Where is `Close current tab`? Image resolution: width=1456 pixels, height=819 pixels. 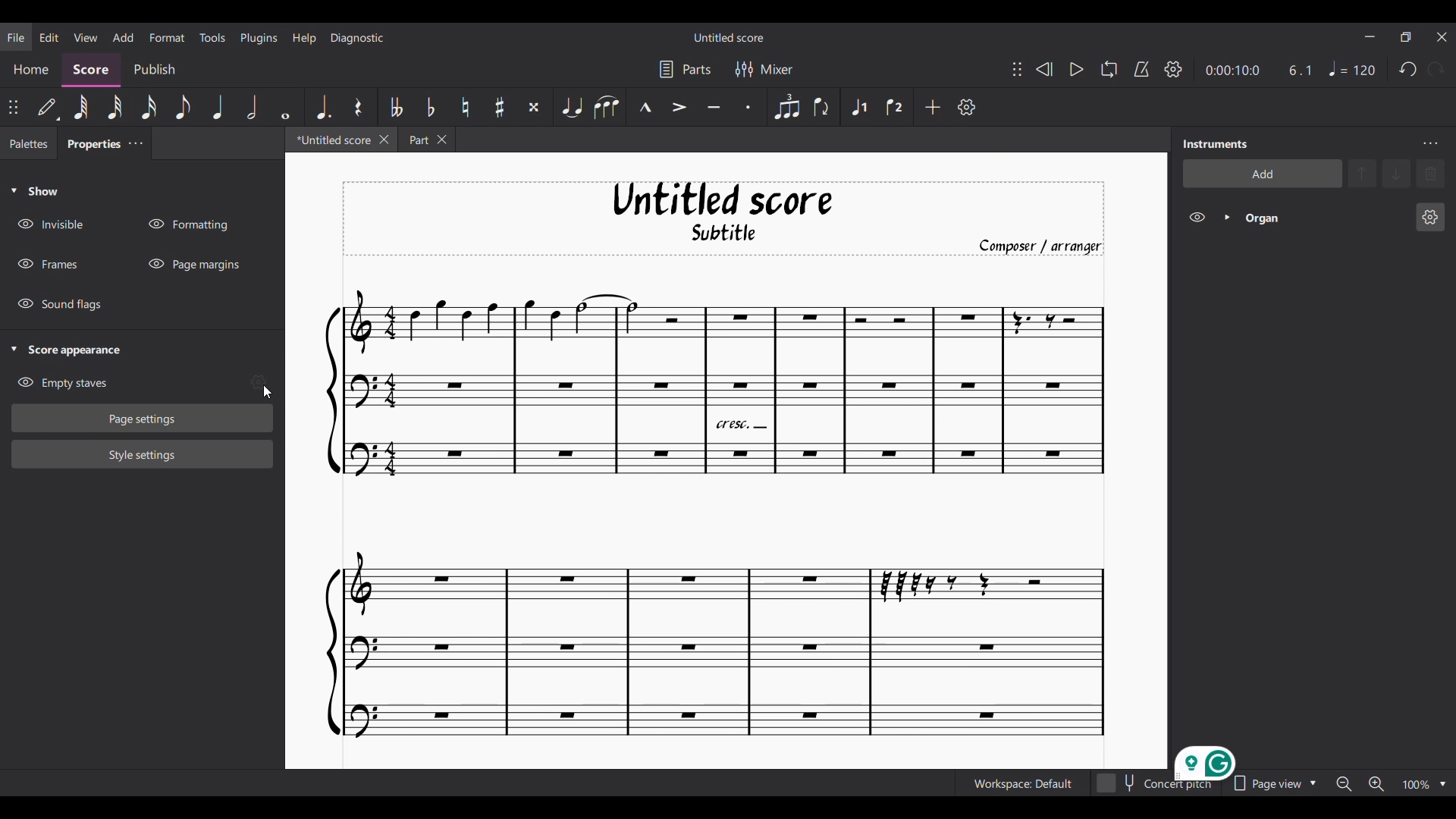 Close current tab is located at coordinates (384, 139).